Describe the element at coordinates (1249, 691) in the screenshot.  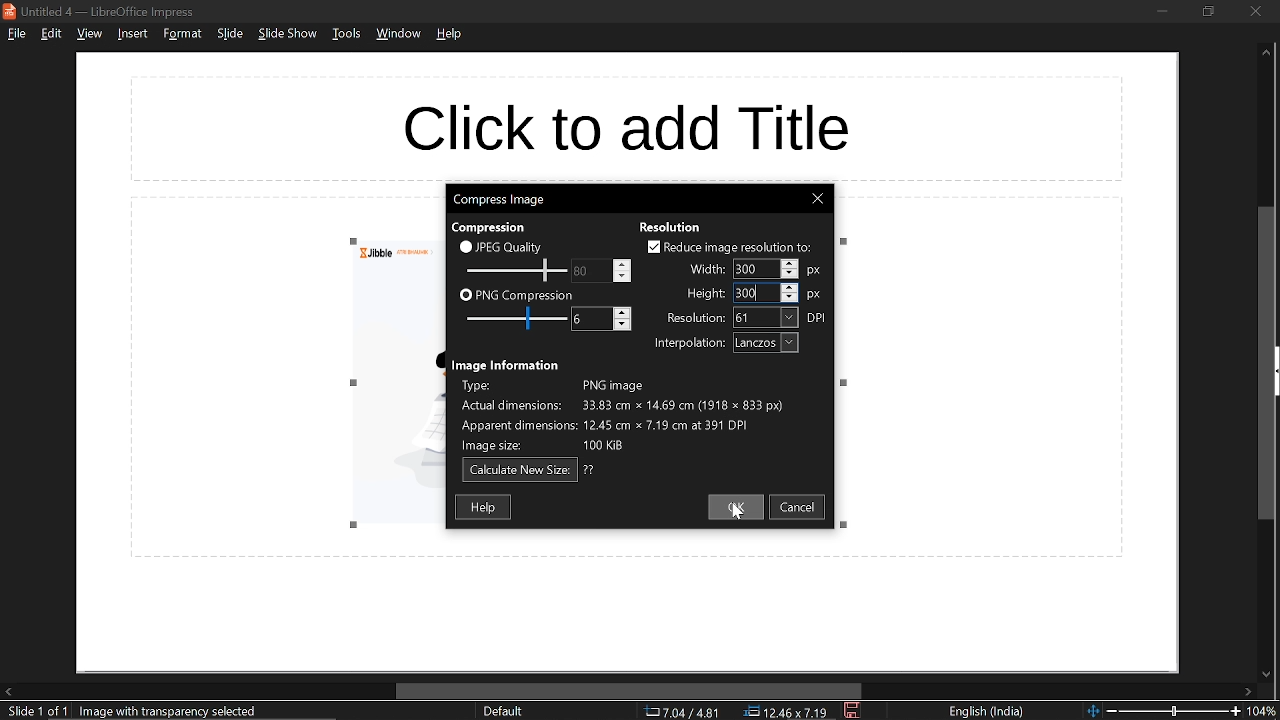
I see `move right` at that location.